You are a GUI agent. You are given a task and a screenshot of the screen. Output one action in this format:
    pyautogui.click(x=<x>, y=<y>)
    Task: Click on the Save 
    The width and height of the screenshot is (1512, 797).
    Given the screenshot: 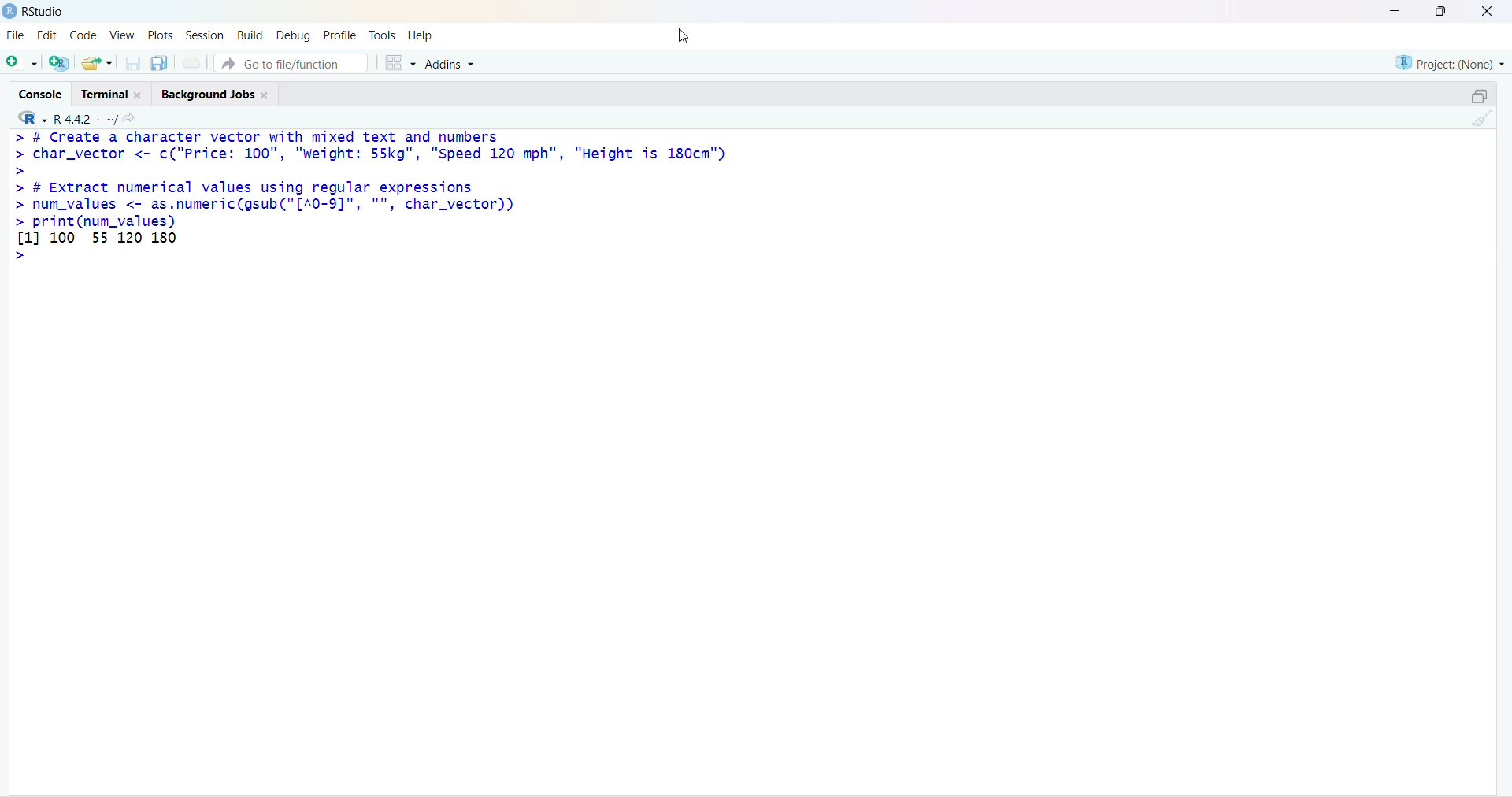 What is the action you would take?
    pyautogui.click(x=134, y=63)
    